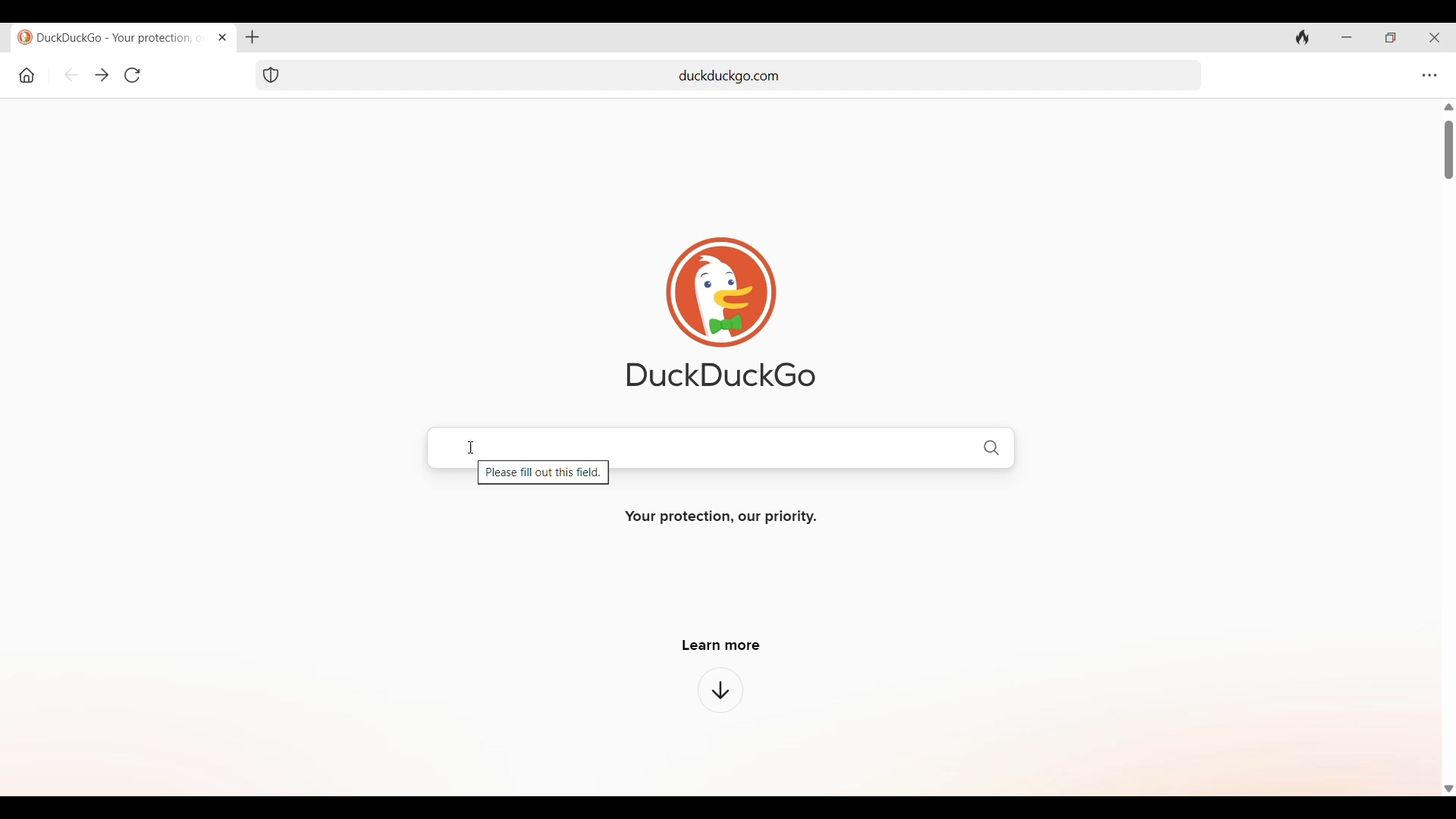 This screenshot has width=1456, height=819. What do you see at coordinates (1448, 150) in the screenshot?
I see `Vertical slide bar` at bounding box center [1448, 150].